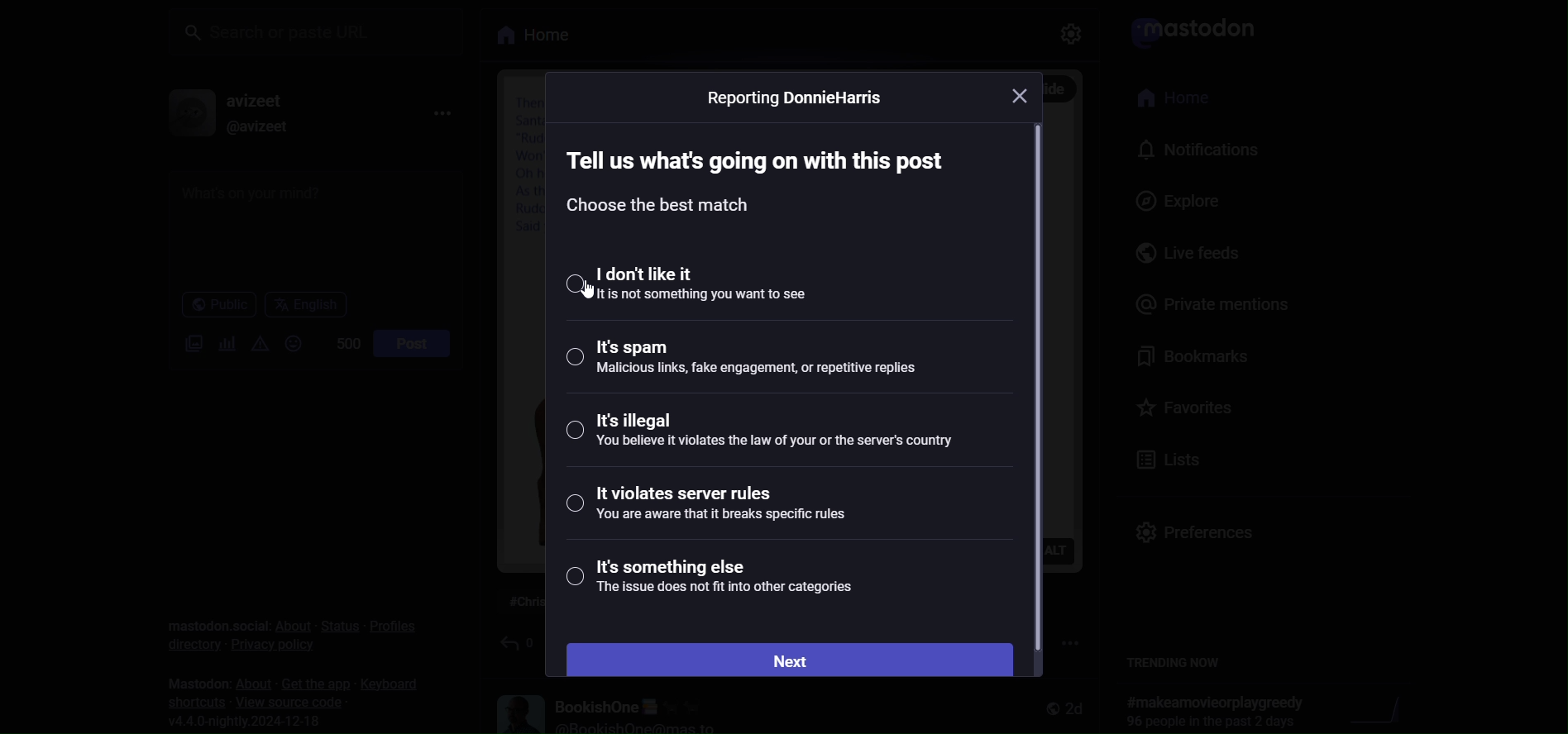  What do you see at coordinates (393, 625) in the screenshot?
I see `profiles` at bounding box center [393, 625].